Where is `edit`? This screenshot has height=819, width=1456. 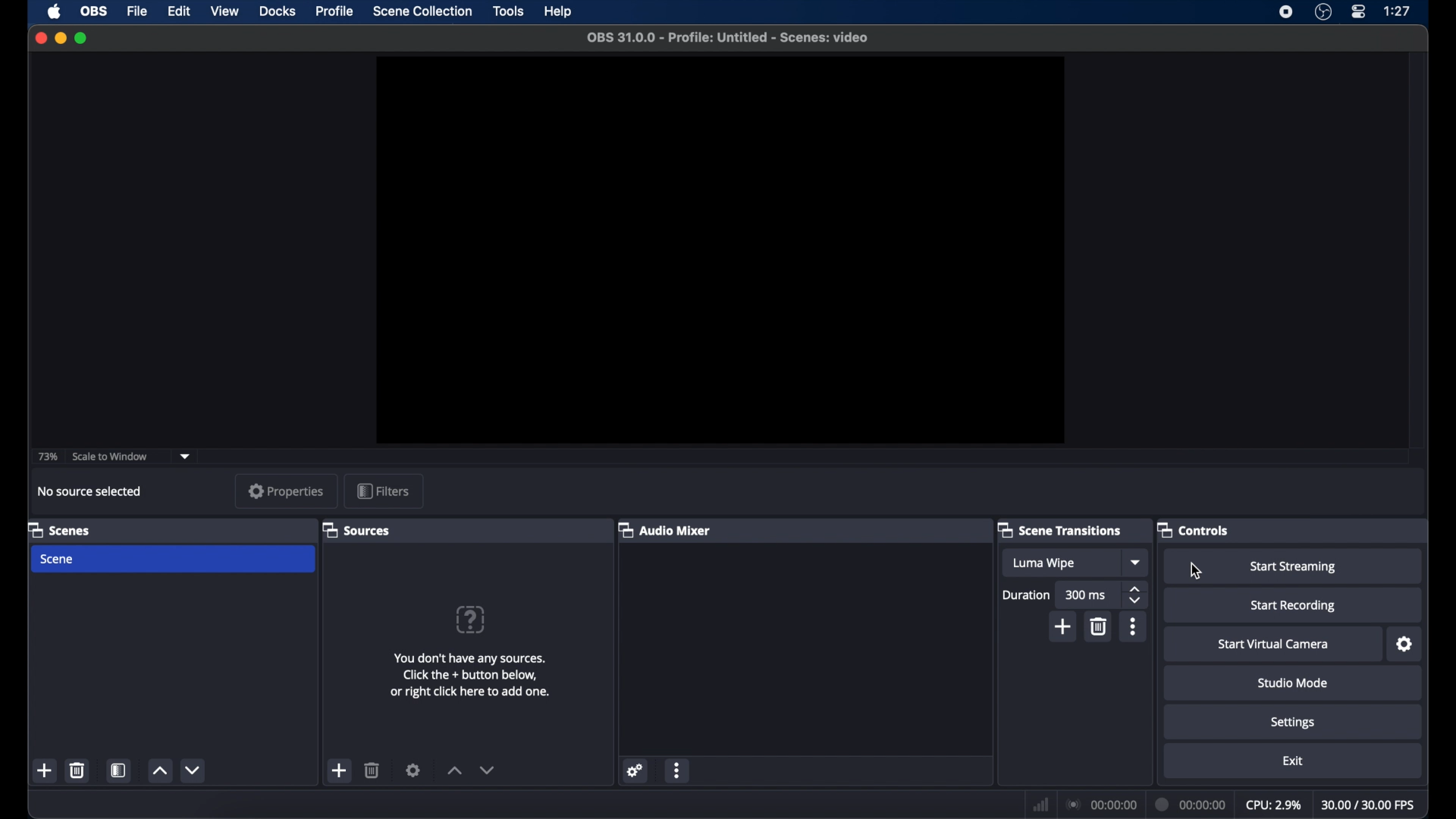 edit is located at coordinates (178, 12).